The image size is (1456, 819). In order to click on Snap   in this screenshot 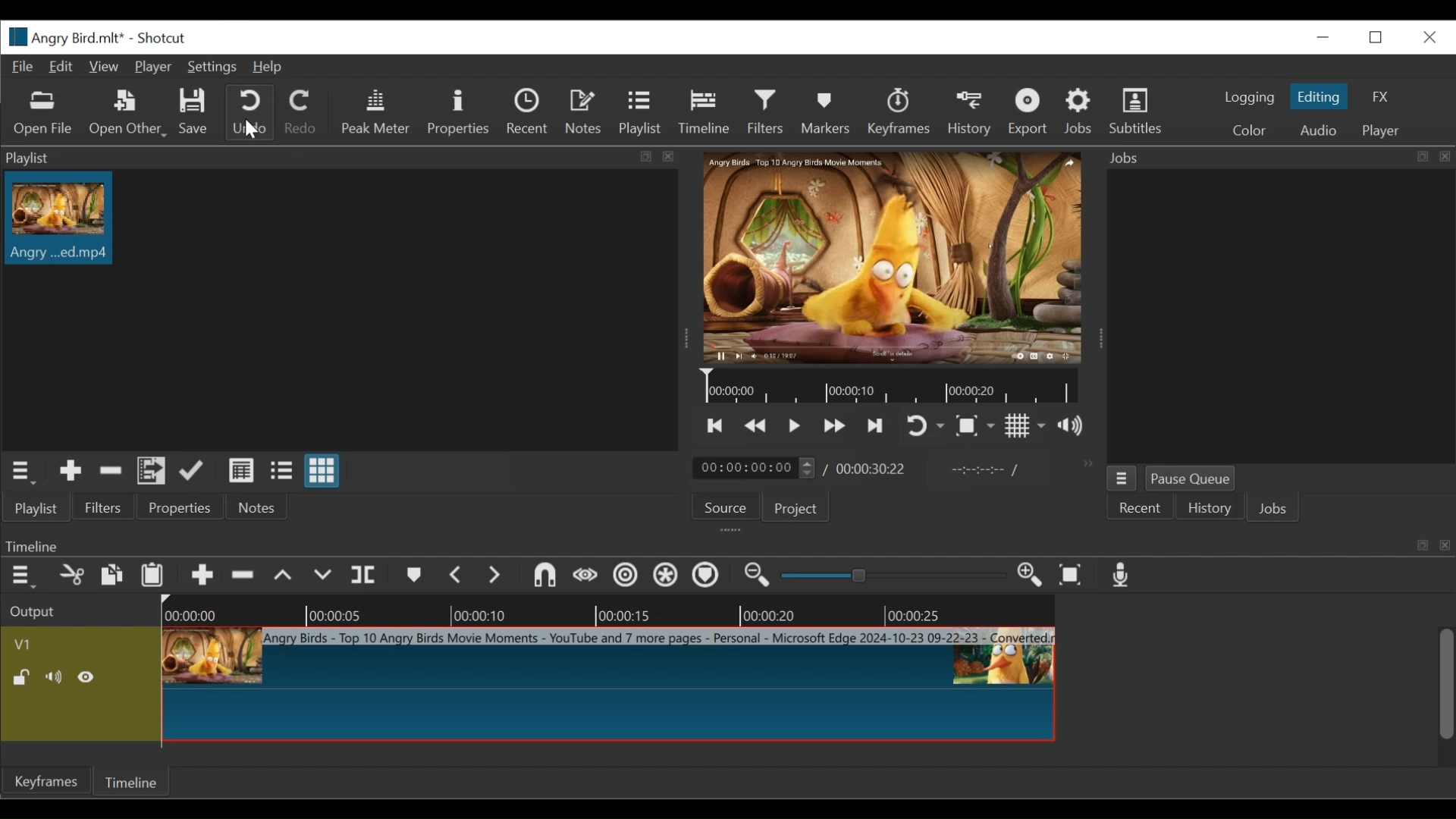, I will do `click(544, 577)`.